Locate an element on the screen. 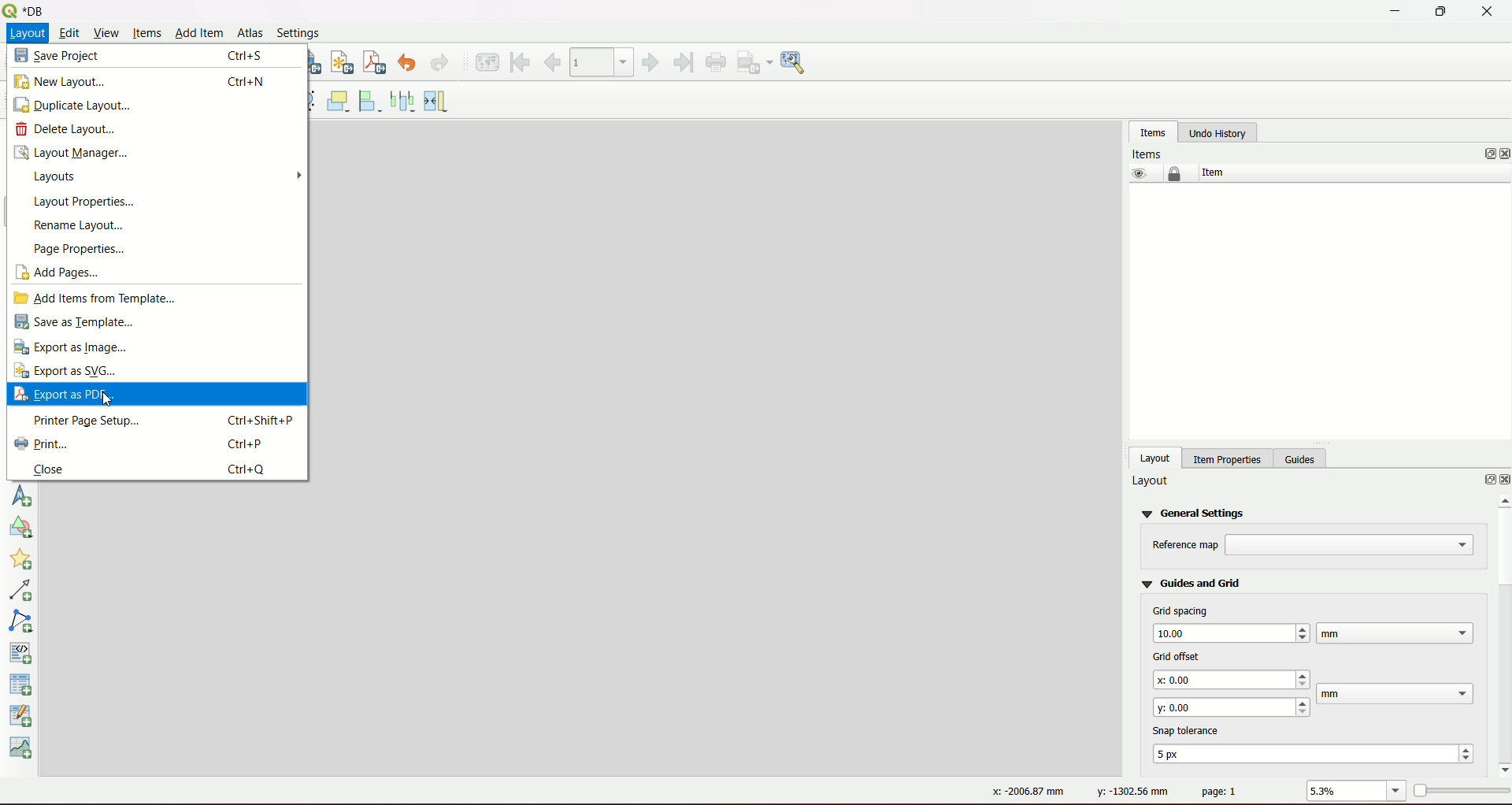 This screenshot has width=1512, height=805. image settings is located at coordinates (797, 63).